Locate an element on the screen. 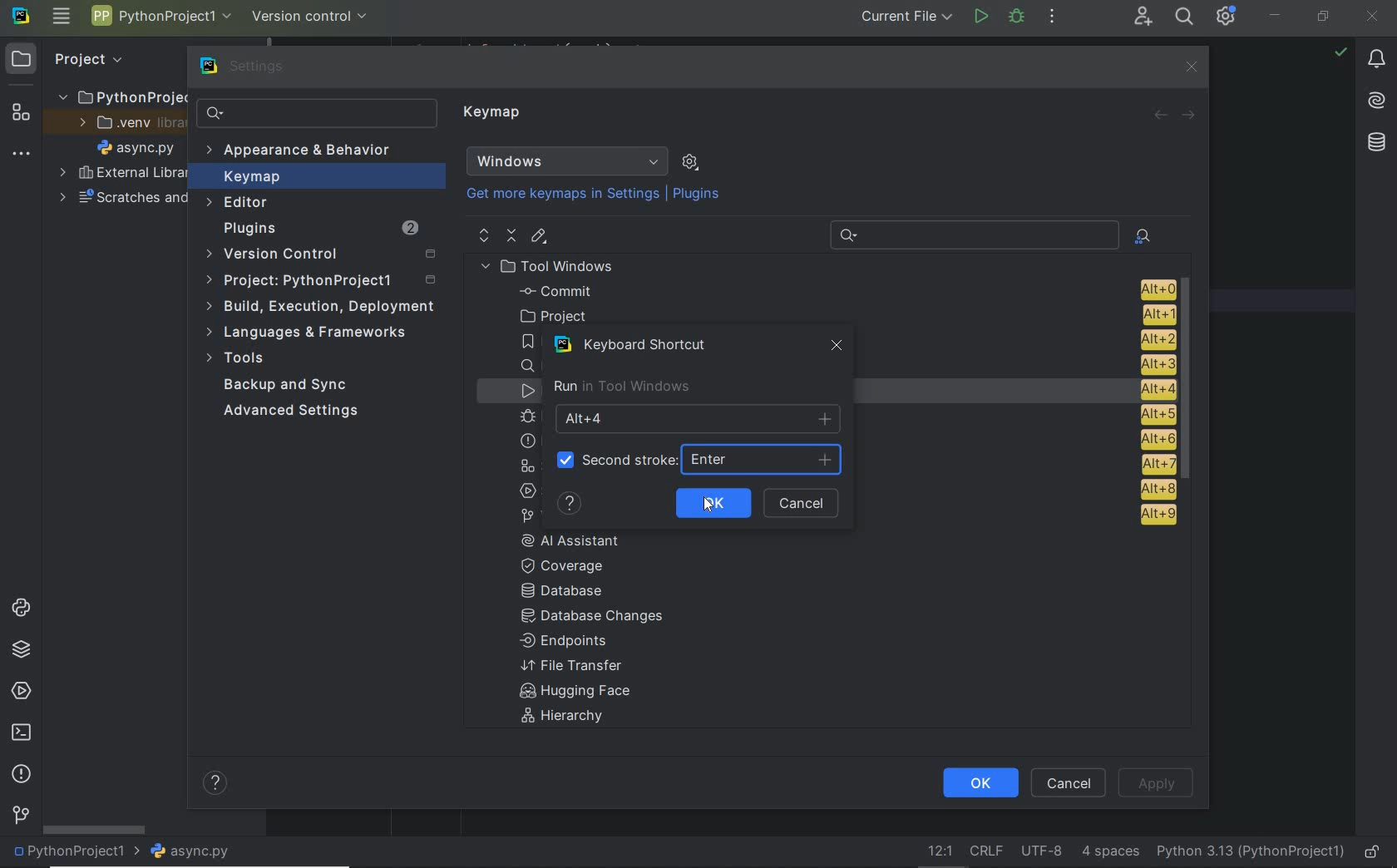 The width and height of the screenshot is (1397, 868). cancel is located at coordinates (804, 504).